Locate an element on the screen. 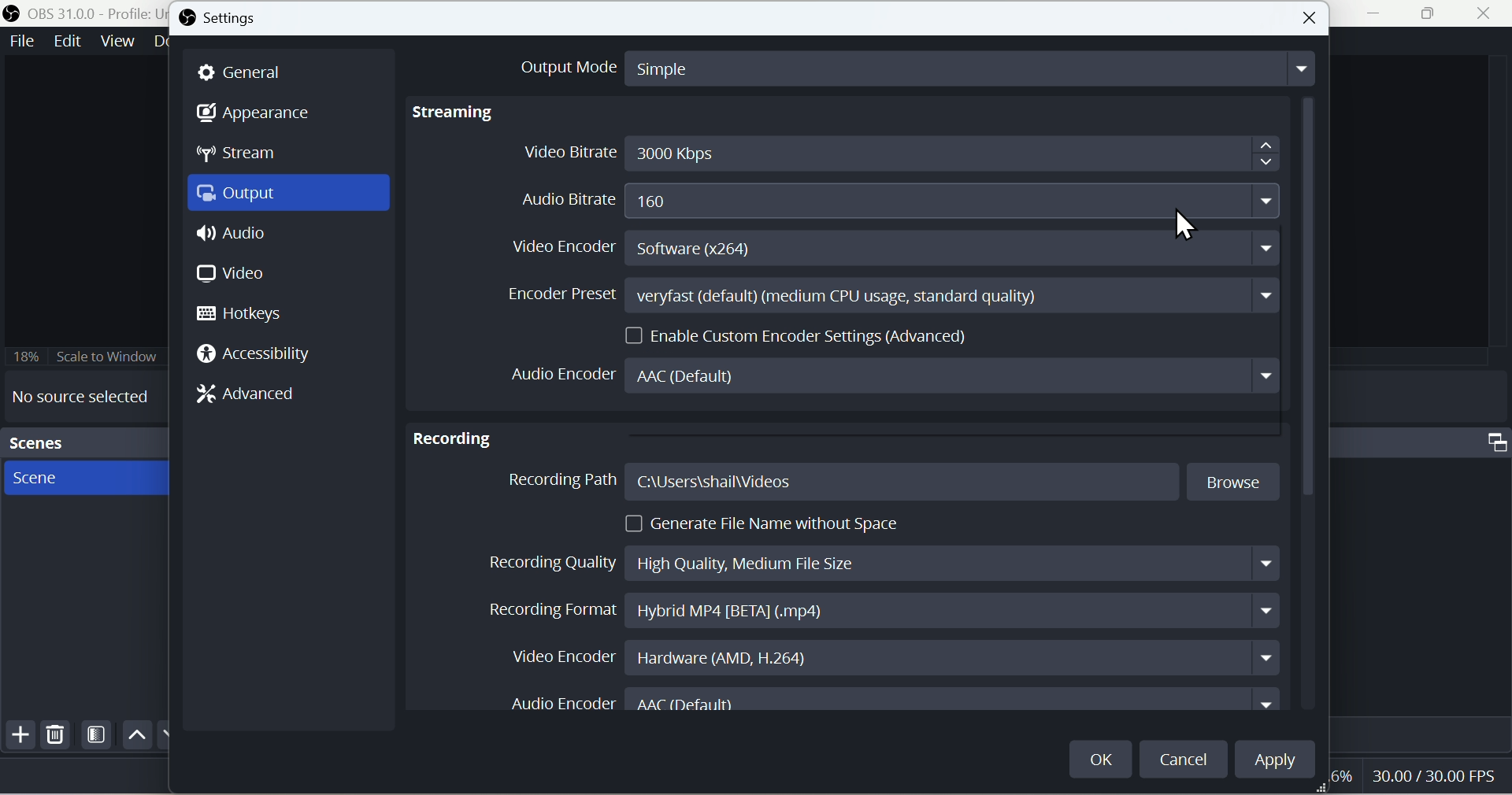  Encoder Preset is located at coordinates (888, 295).